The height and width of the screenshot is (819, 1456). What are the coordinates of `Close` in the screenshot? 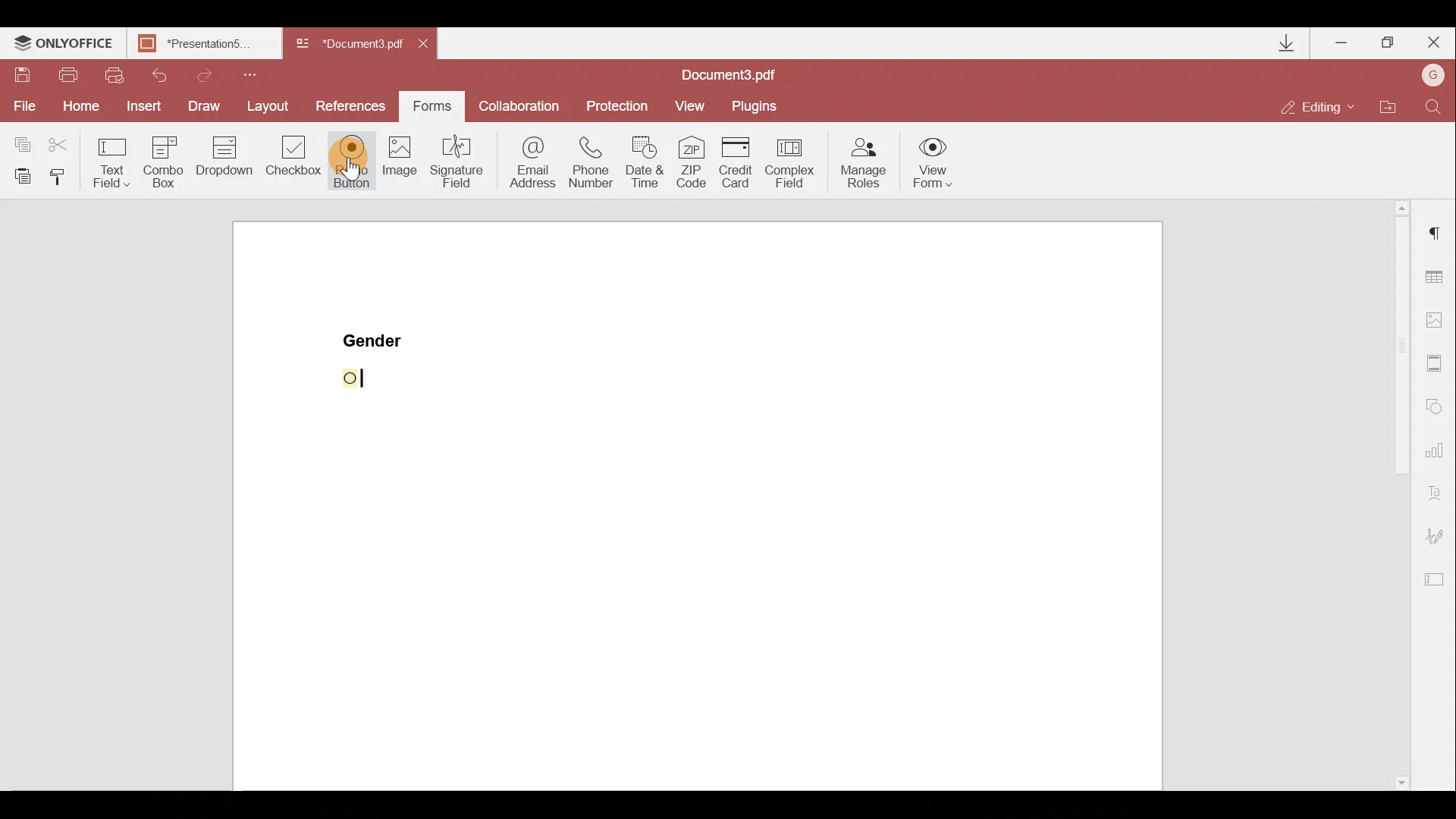 It's located at (1434, 43).